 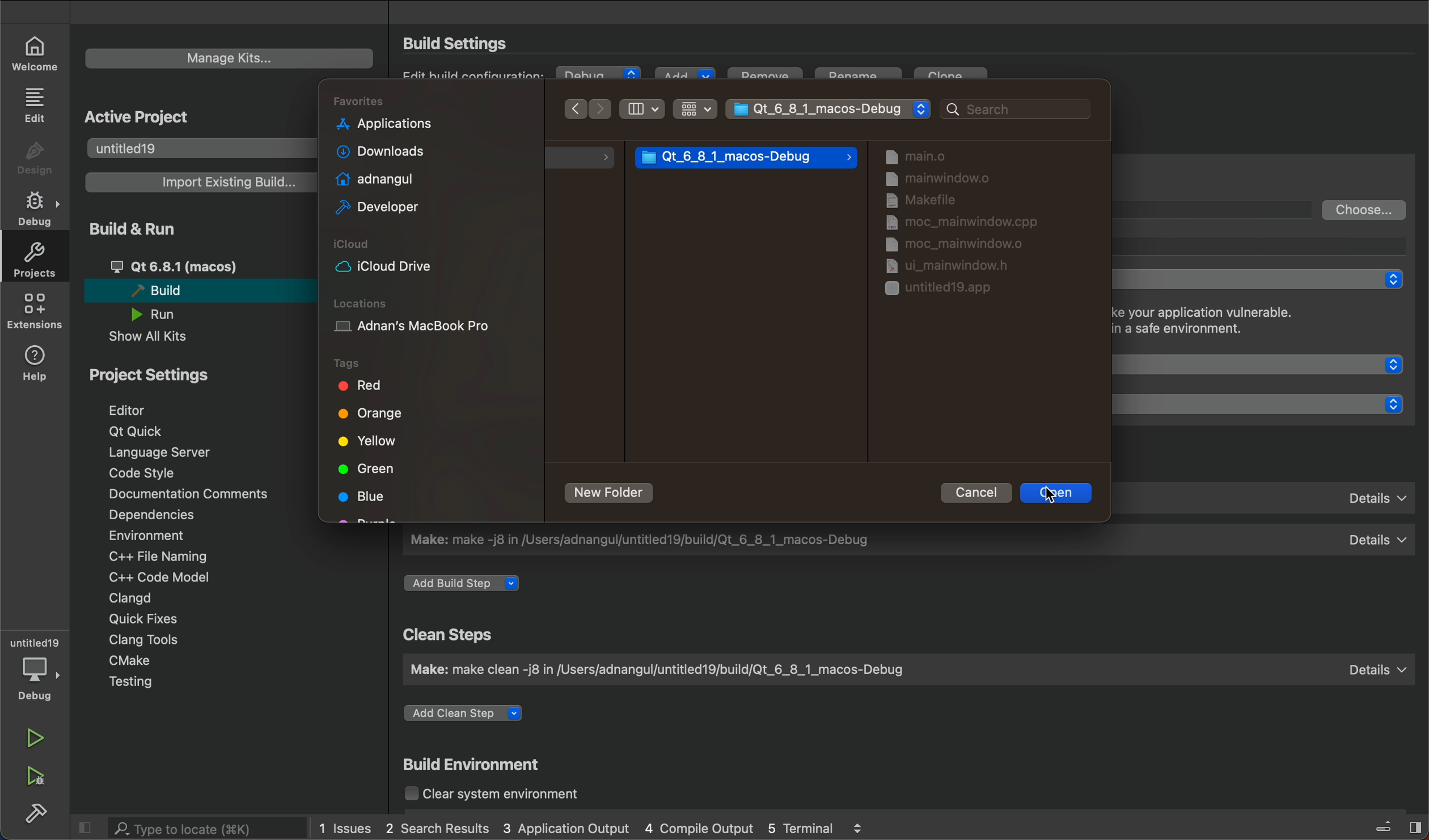 I want to click on moc mainwindow, so click(x=942, y=244).